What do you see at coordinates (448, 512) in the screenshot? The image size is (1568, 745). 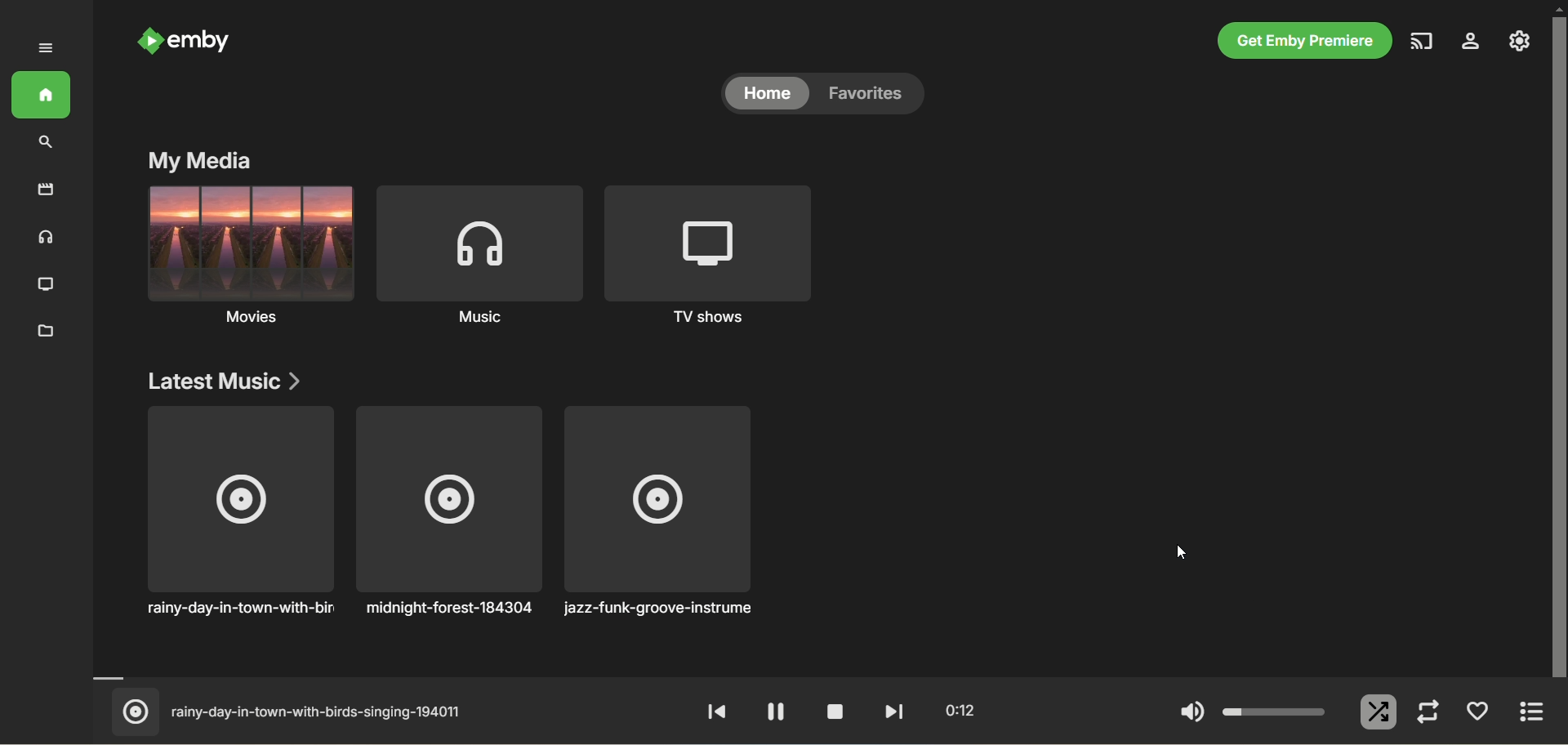 I see `midnight-forest-184304` at bounding box center [448, 512].